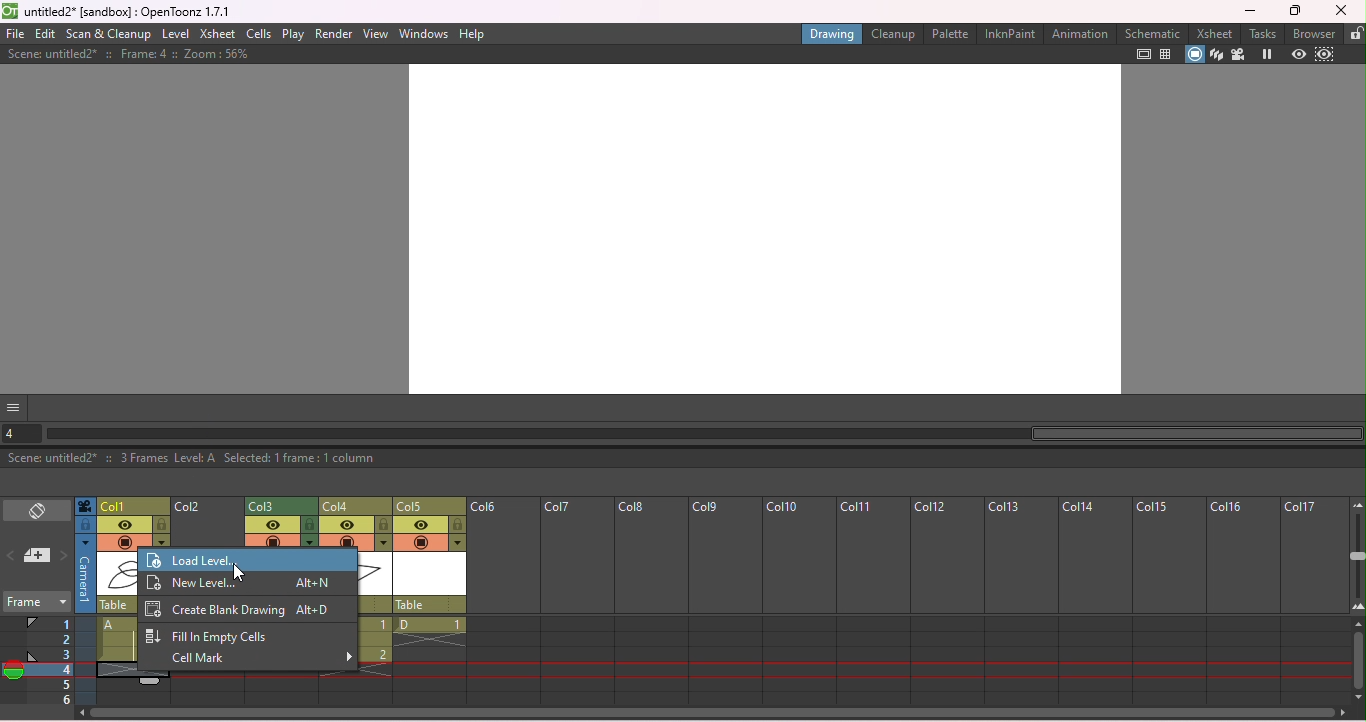 Image resolution: width=1366 pixels, height=722 pixels. What do you see at coordinates (383, 543) in the screenshot?
I see `Additional column settings ` at bounding box center [383, 543].